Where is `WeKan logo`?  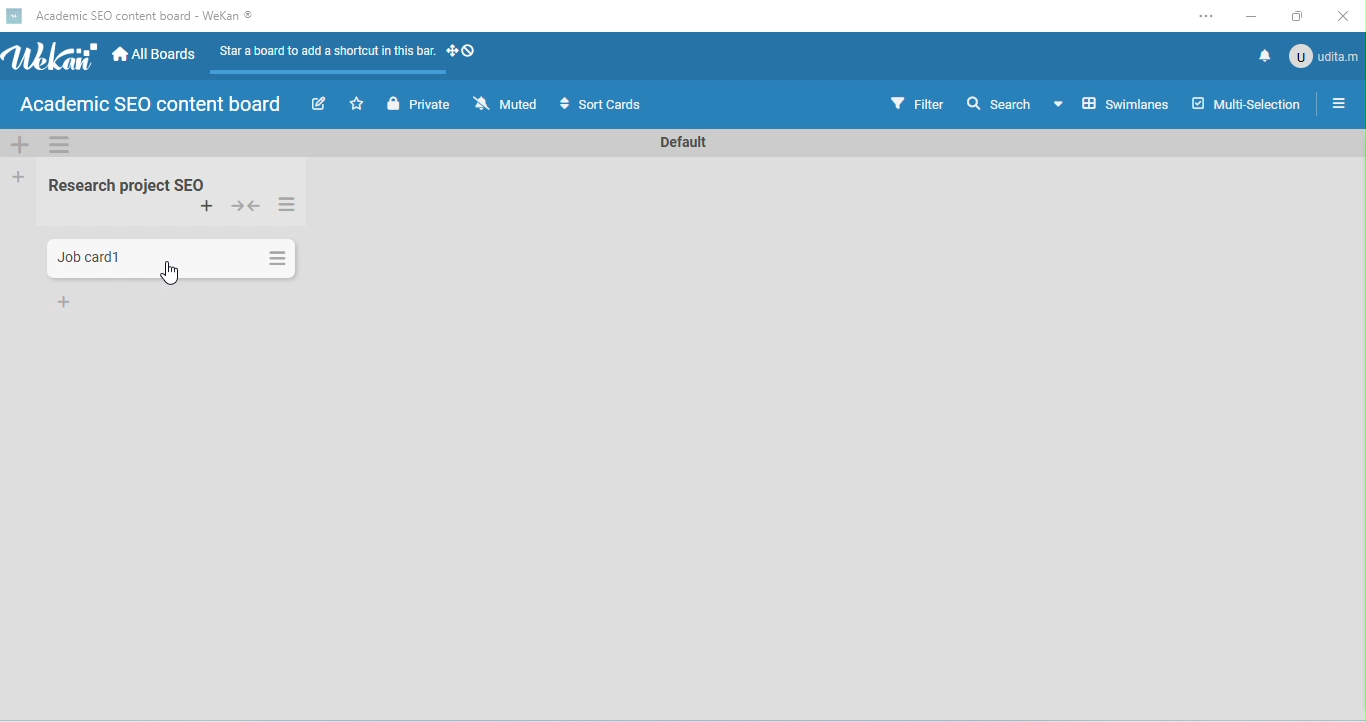
WeKan logo is located at coordinates (51, 57).